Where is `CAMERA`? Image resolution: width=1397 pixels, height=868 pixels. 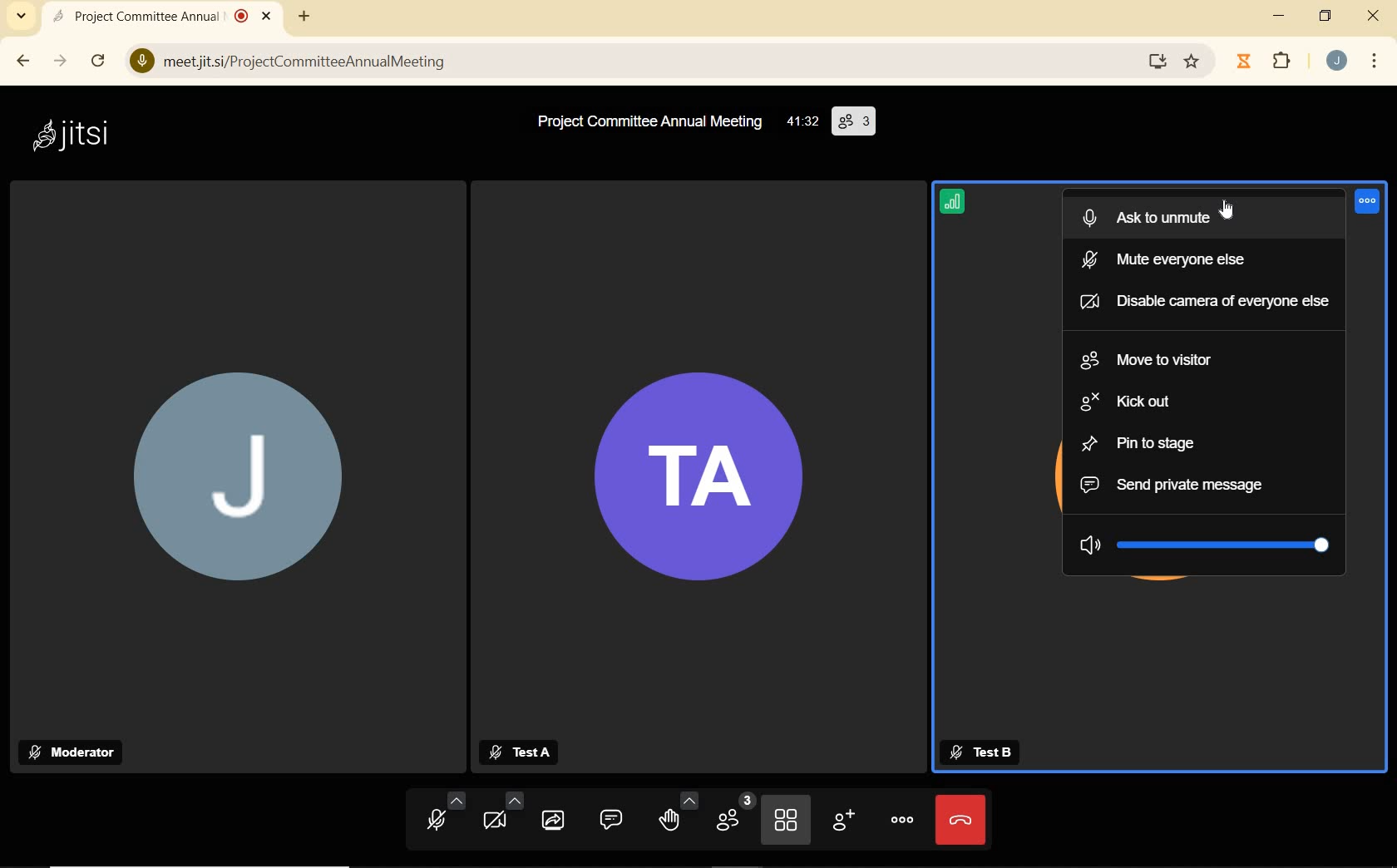 CAMERA is located at coordinates (502, 812).